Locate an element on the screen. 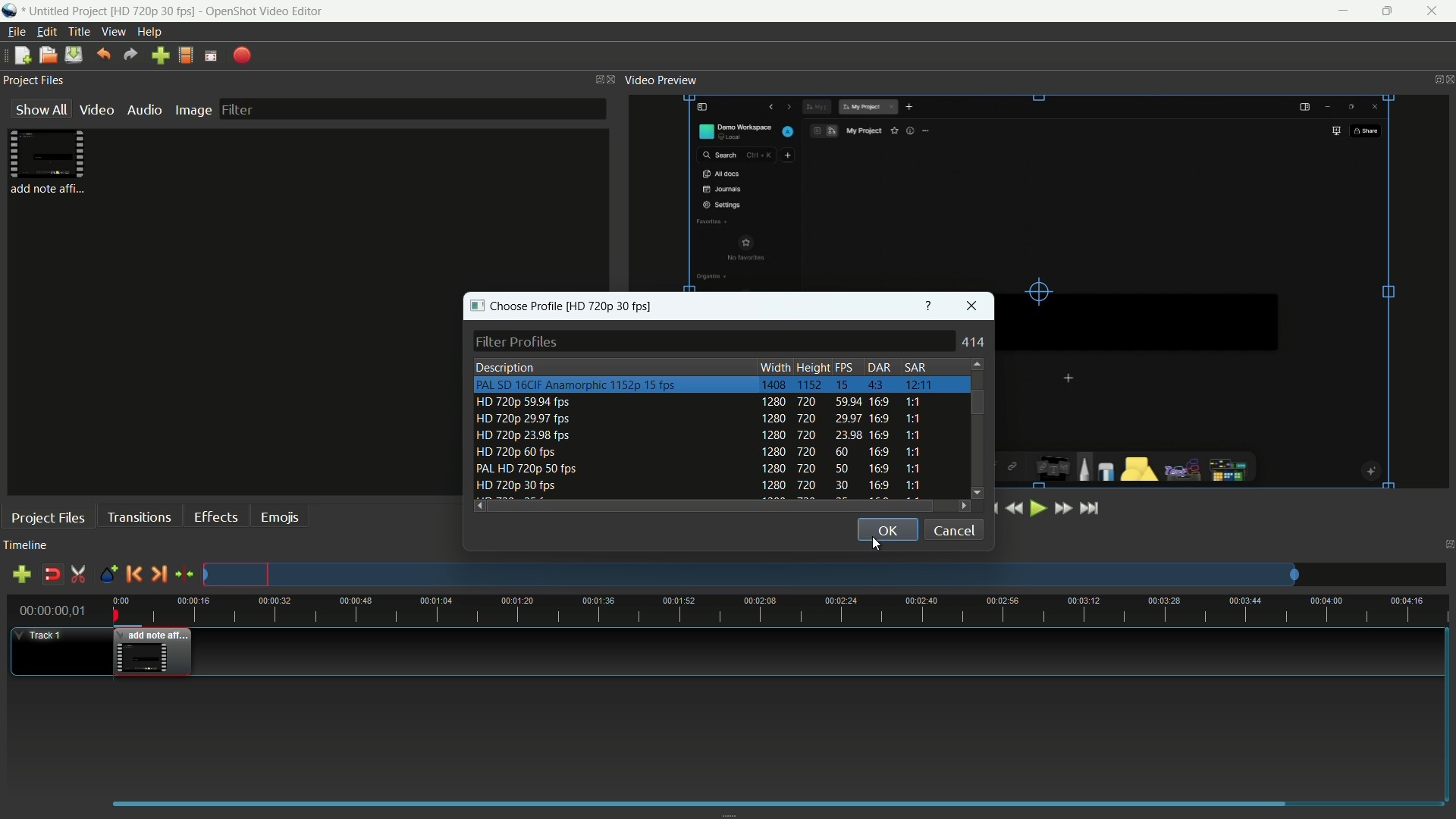  current time is located at coordinates (49, 610).